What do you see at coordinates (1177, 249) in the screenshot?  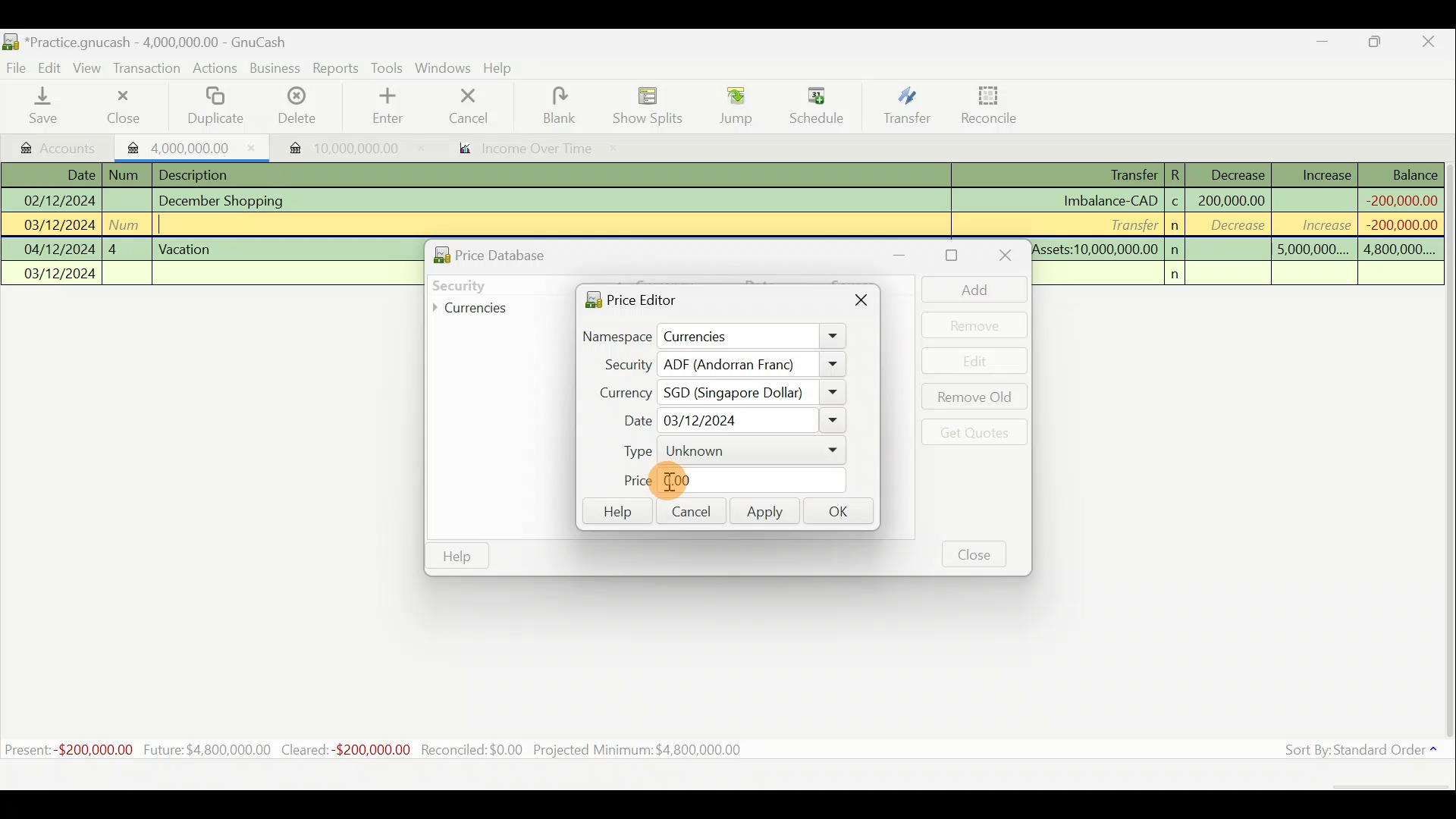 I see `n` at bounding box center [1177, 249].